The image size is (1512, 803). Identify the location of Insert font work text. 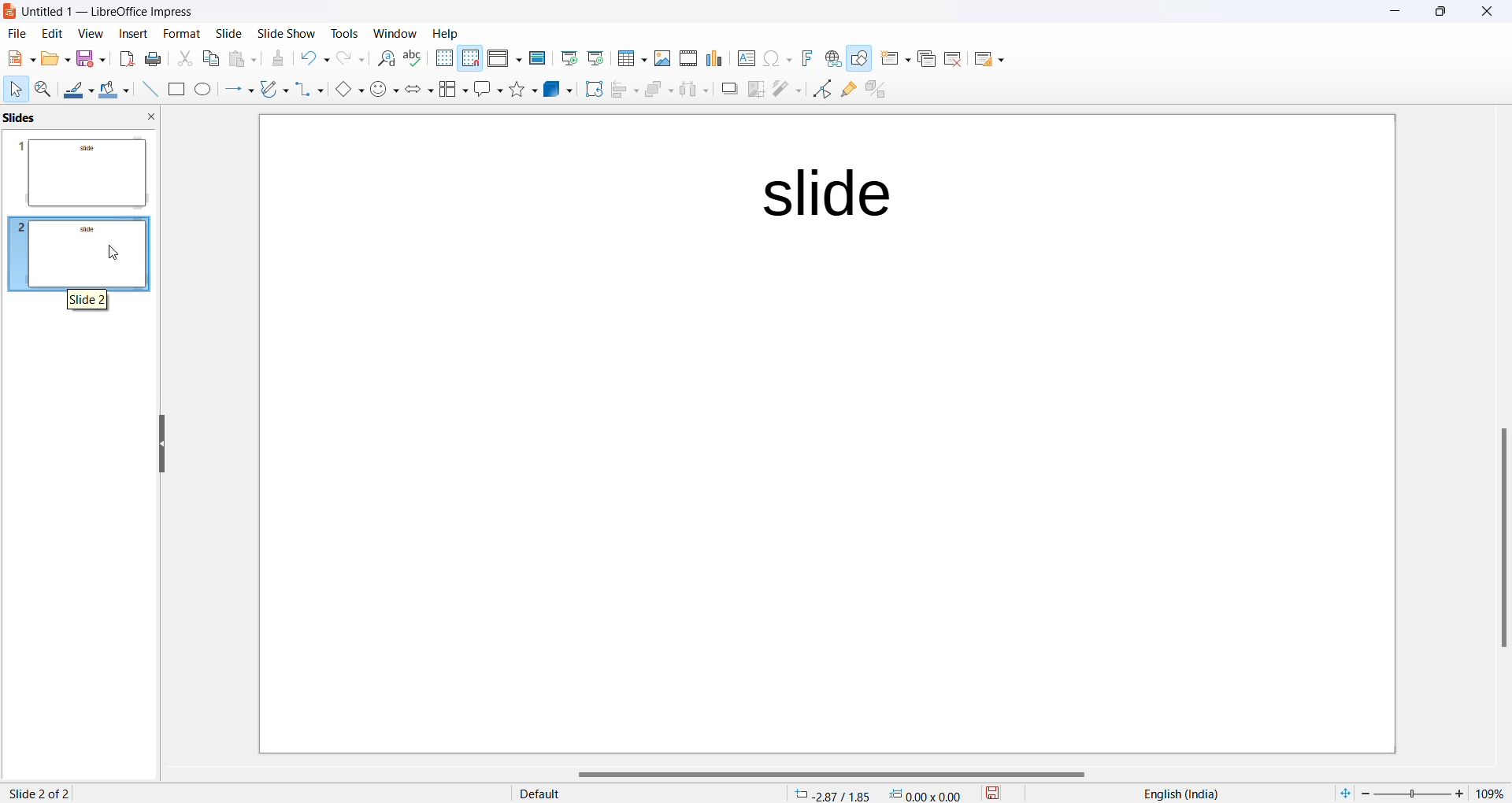
(806, 58).